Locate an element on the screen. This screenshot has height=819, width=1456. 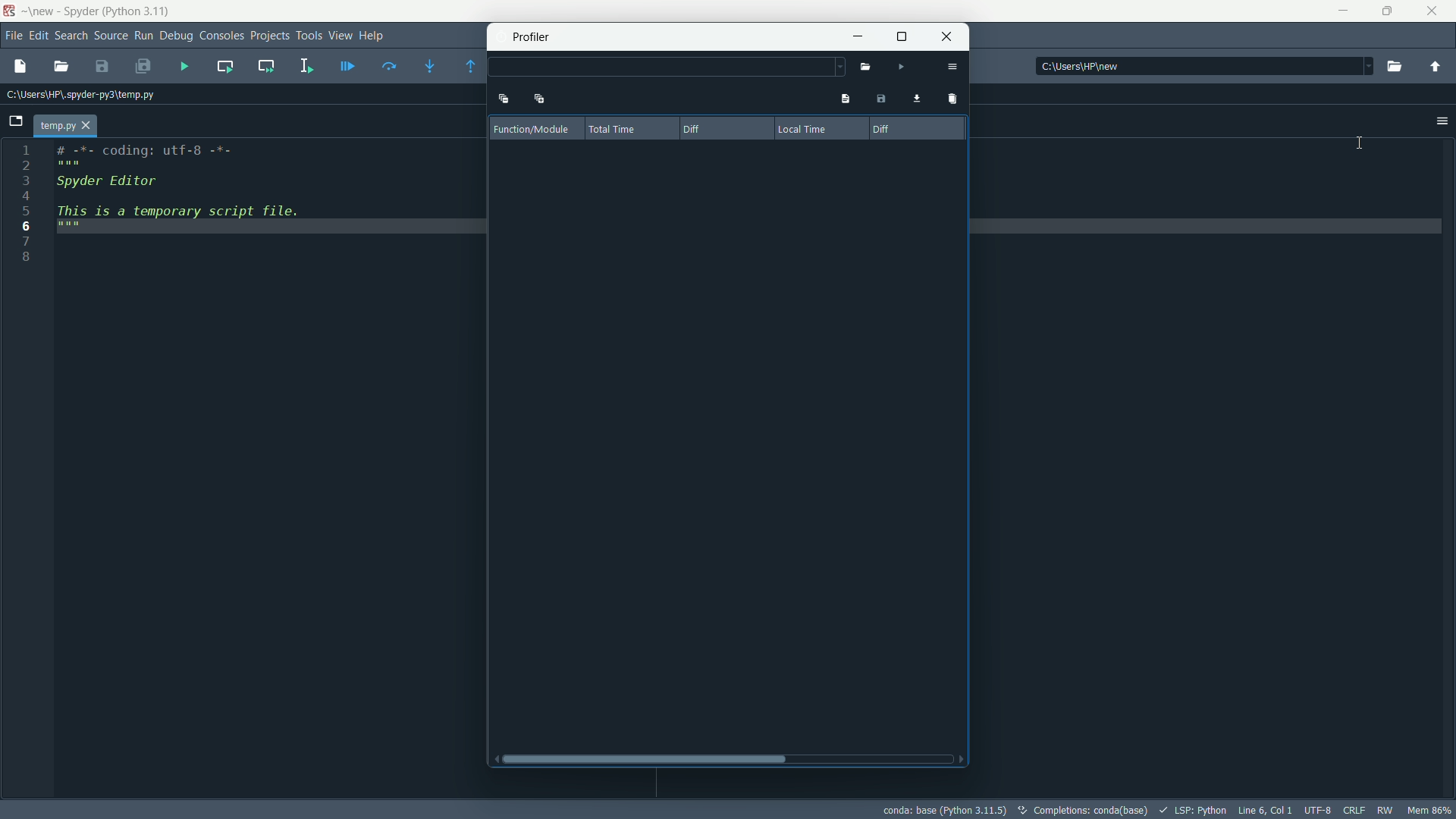
1 is located at coordinates (27, 149).